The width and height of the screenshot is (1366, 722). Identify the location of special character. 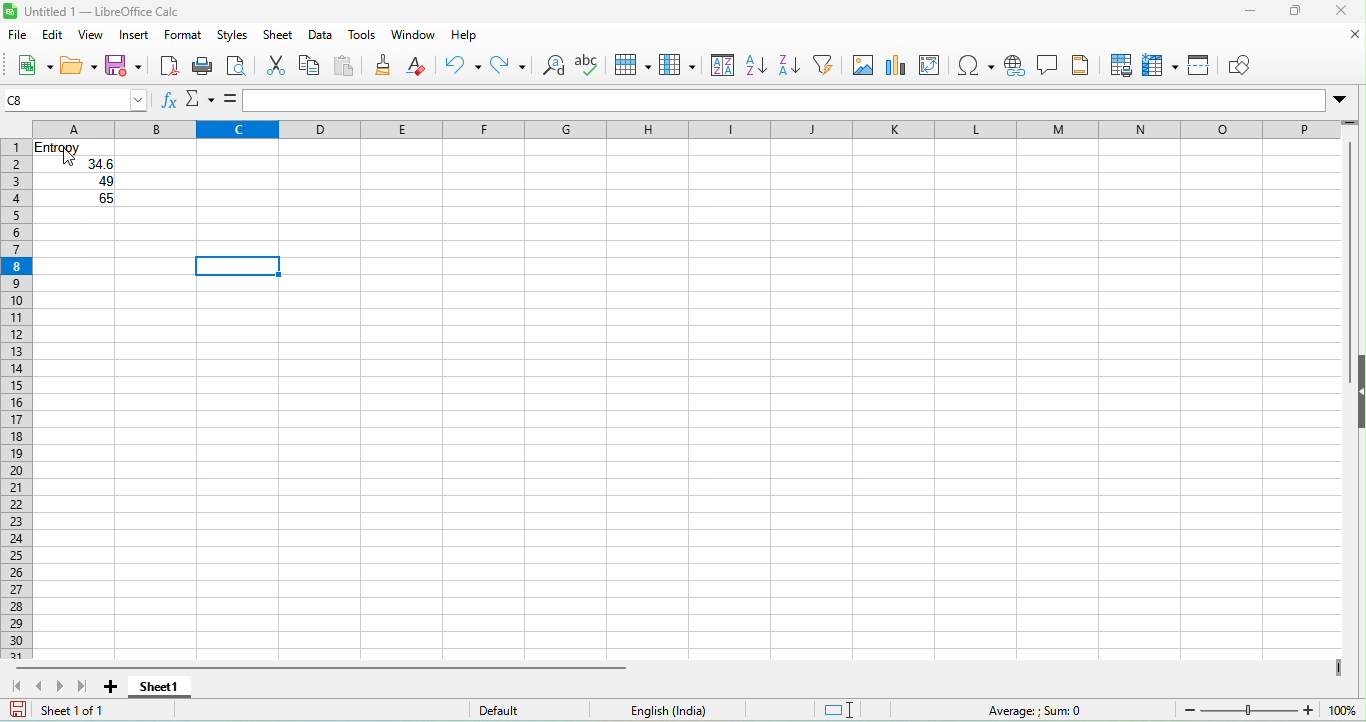
(977, 67).